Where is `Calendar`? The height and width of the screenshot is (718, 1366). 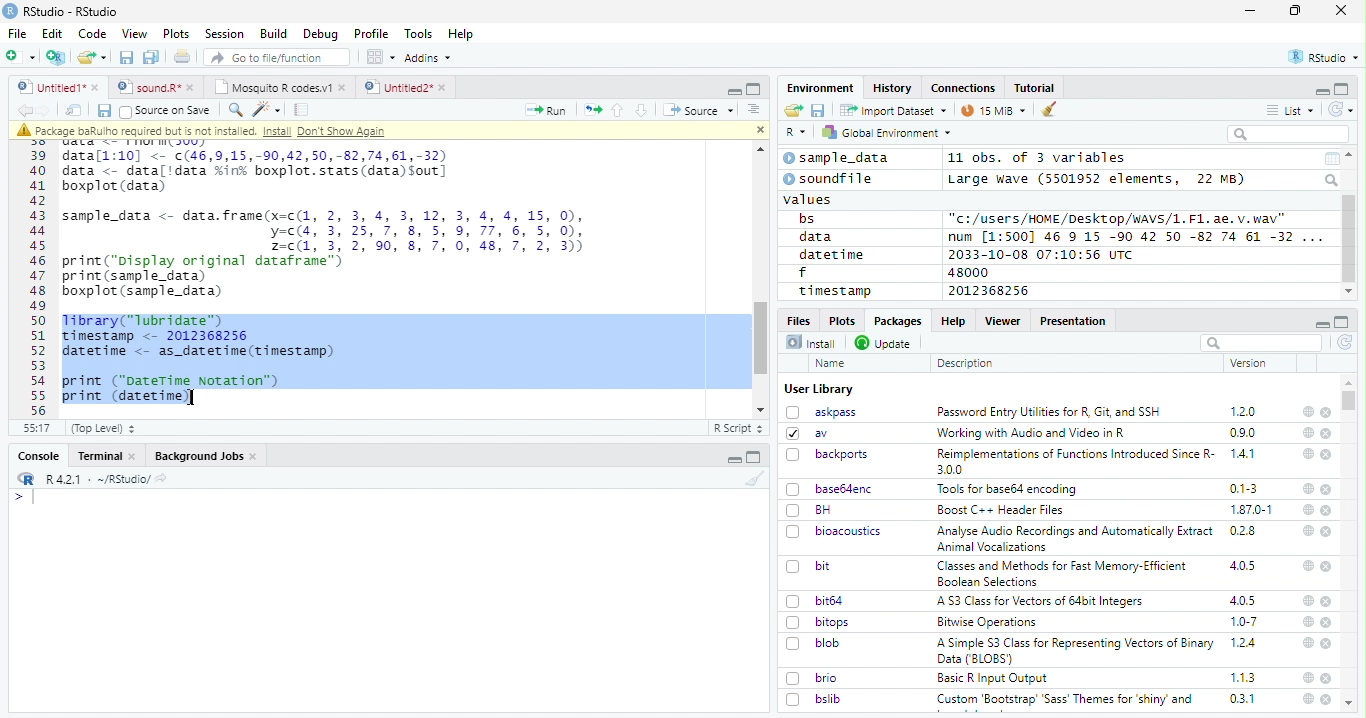
Calendar is located at coordinates (1331, 159).